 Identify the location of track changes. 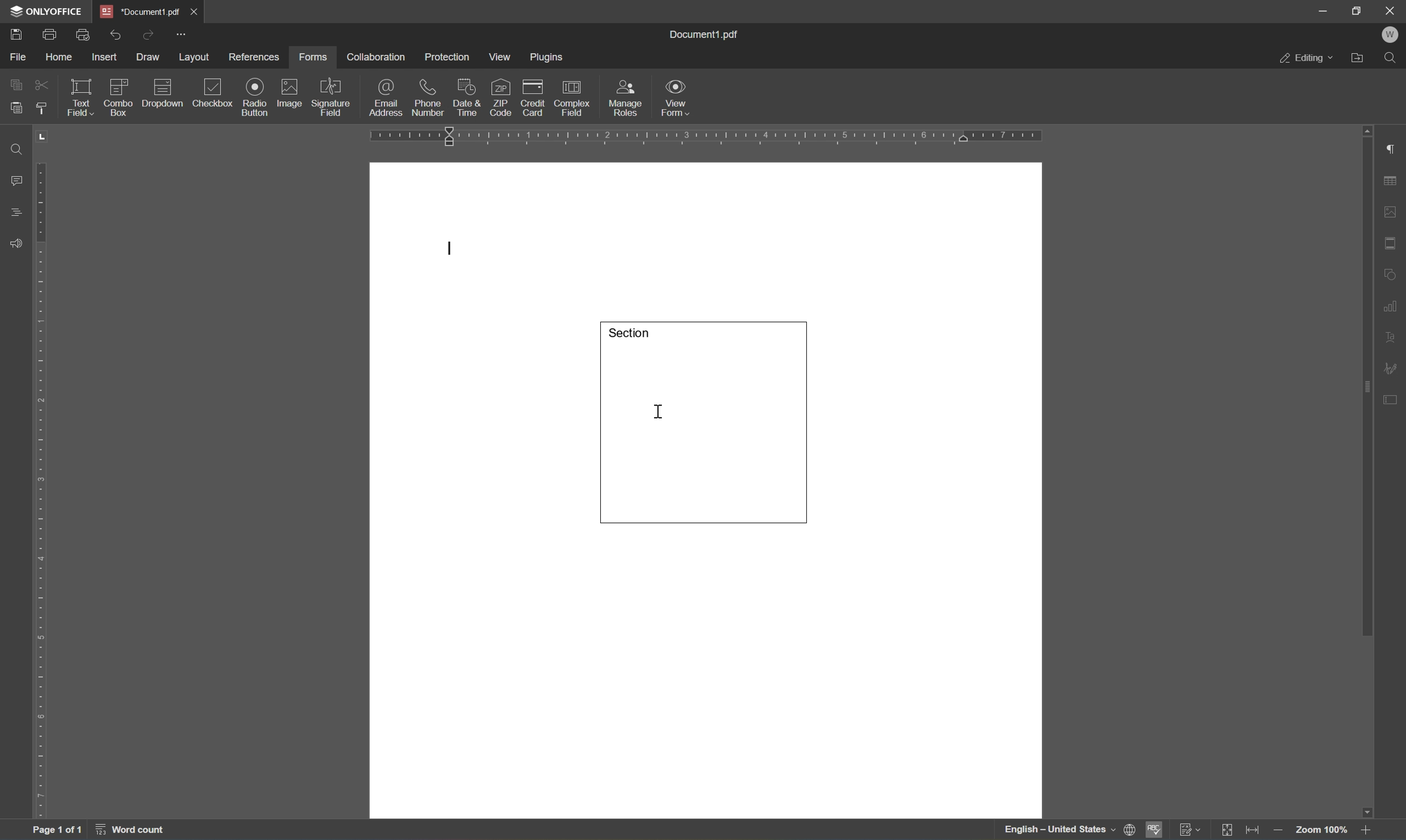
(1192, 830).